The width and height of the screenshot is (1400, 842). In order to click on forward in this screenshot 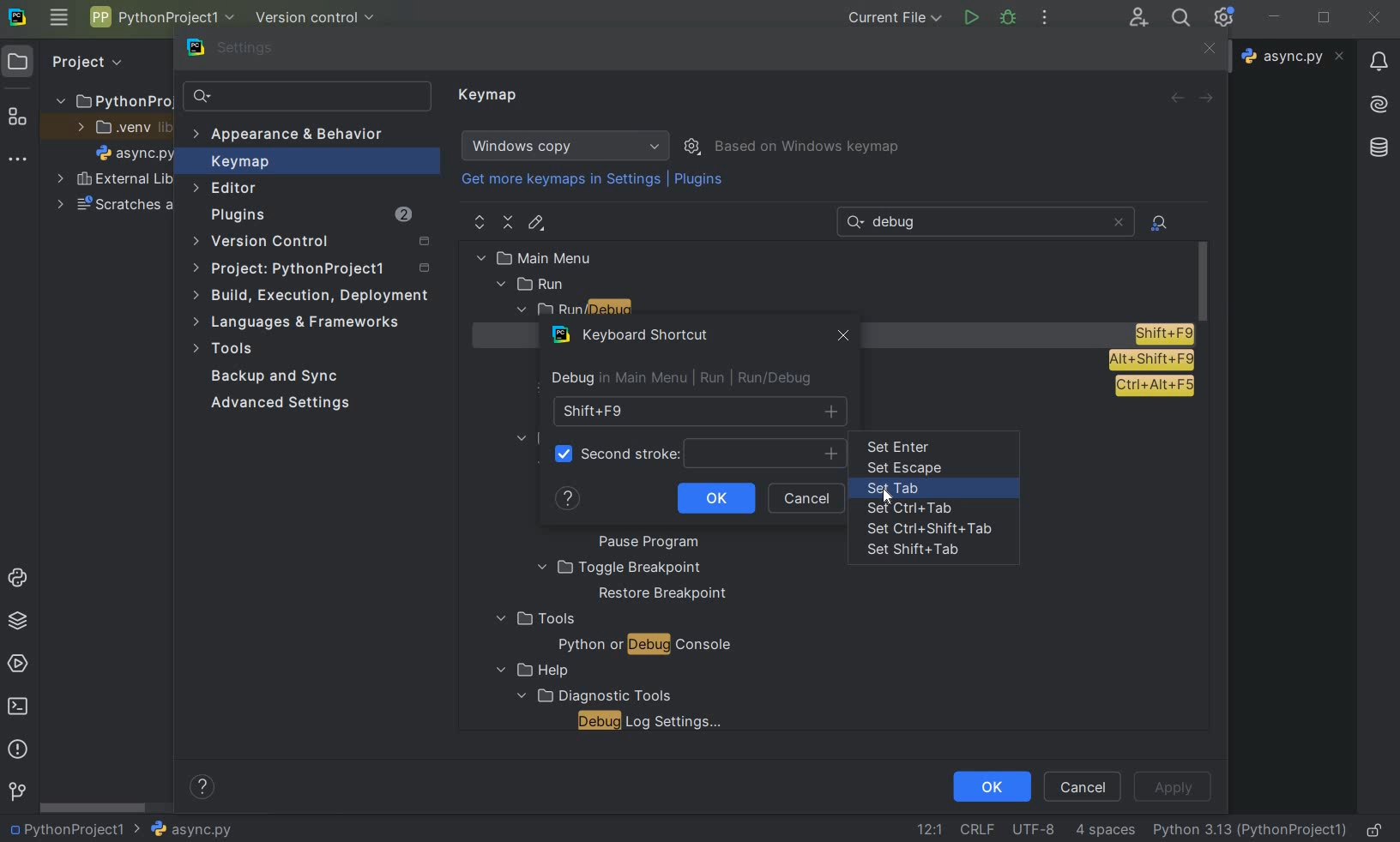, I will do `click(1210, 99)`.